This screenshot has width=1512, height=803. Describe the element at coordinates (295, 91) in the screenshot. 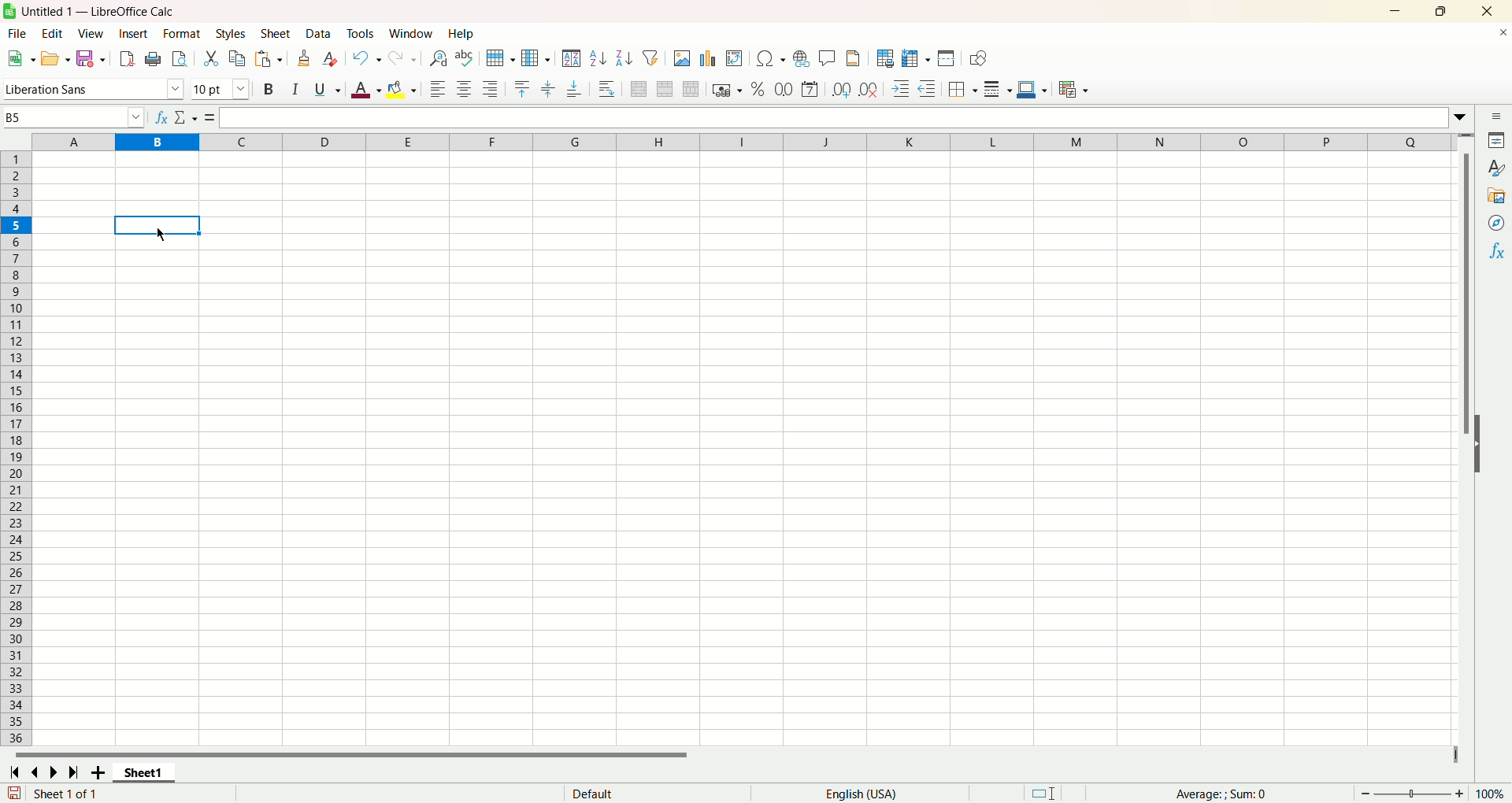

I see `italics` at that location.